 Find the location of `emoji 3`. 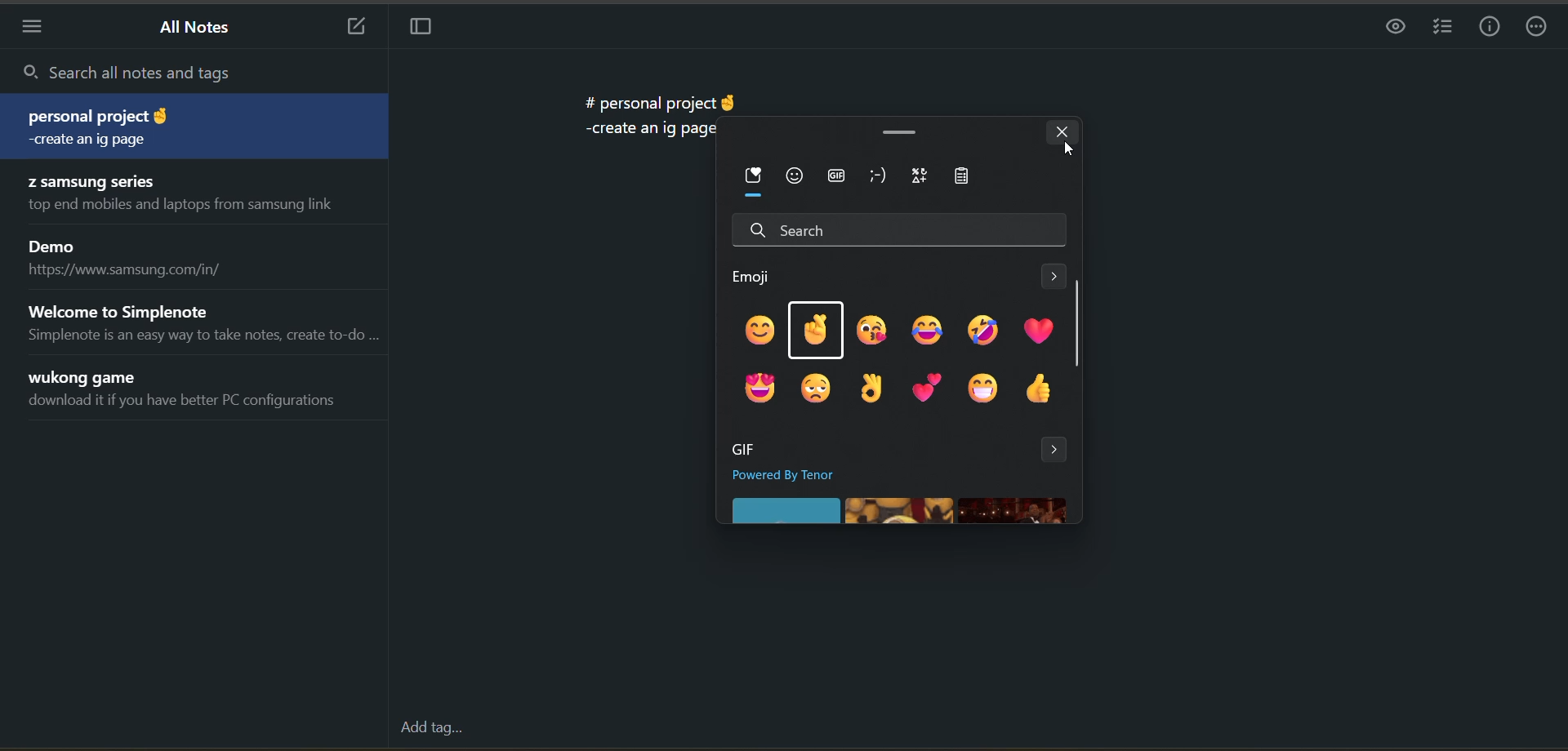

emoji 3 is located at coordinates (871, 333).